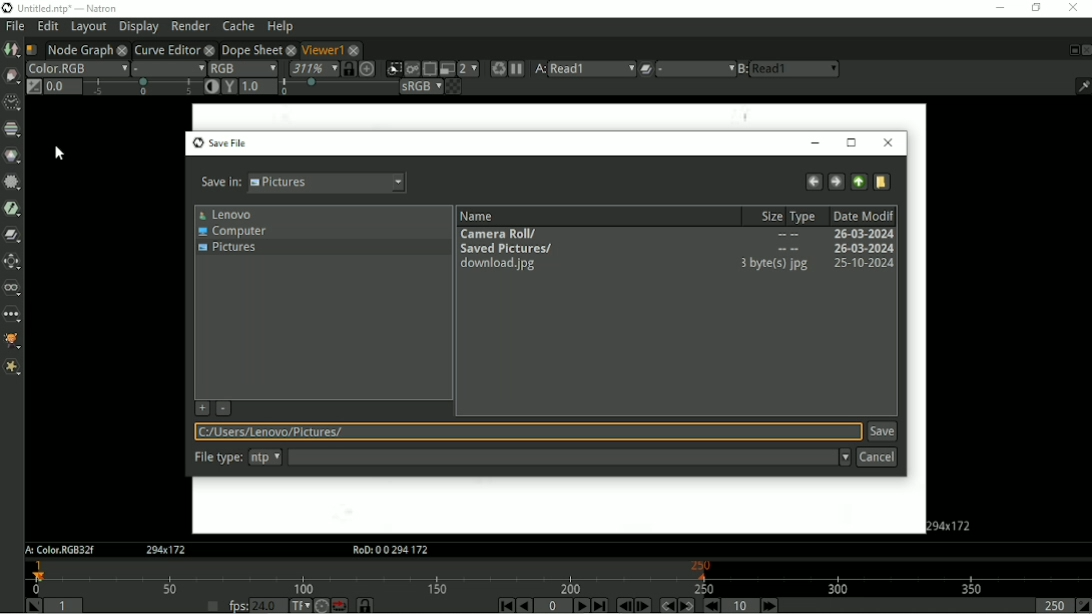 The width and height of the screenshot is (1092, 614). I want to click on Close, so click(888, 143).